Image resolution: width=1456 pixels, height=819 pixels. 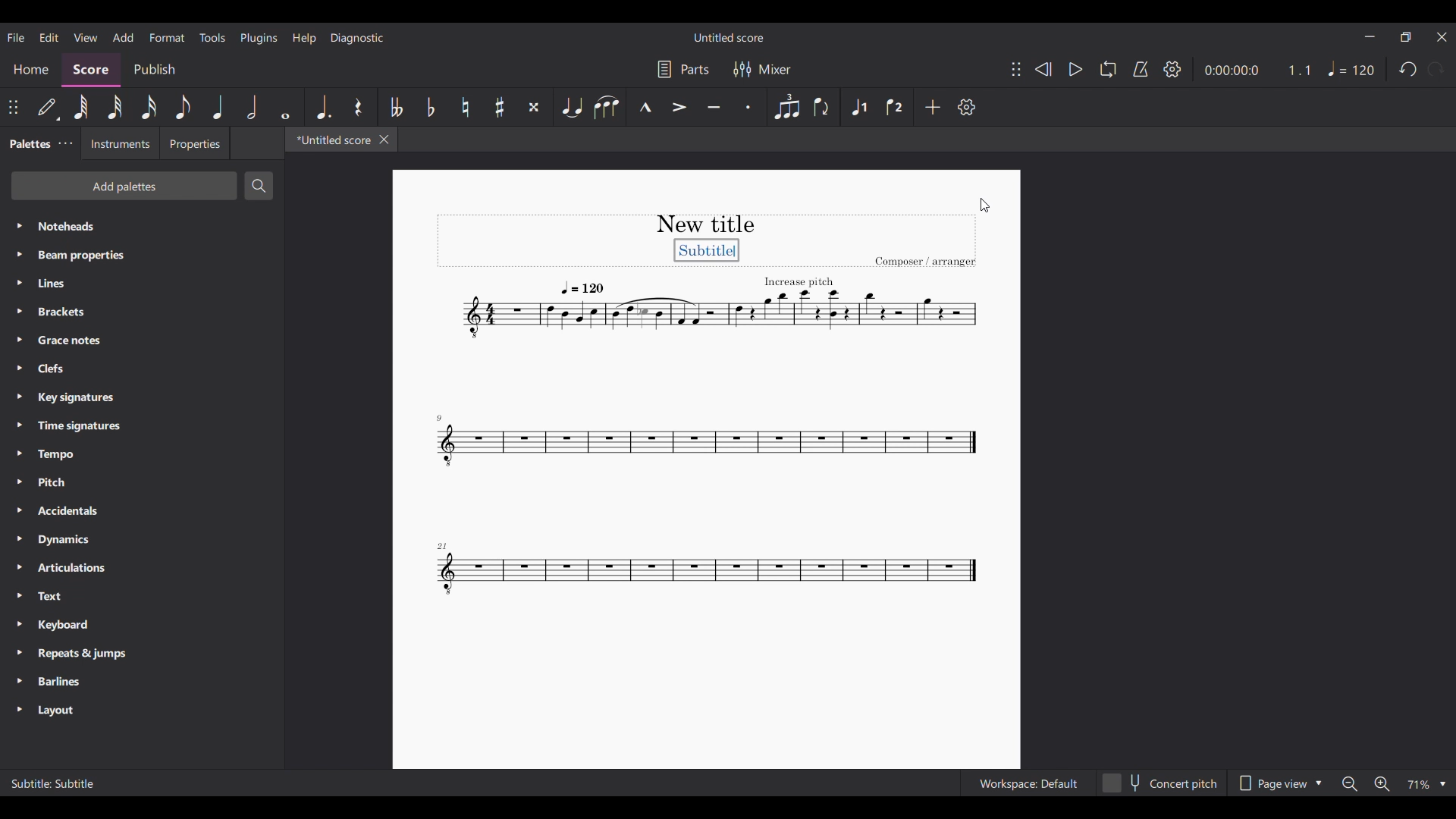 I want to click on Current ratio, so click(x=1299, y=70).